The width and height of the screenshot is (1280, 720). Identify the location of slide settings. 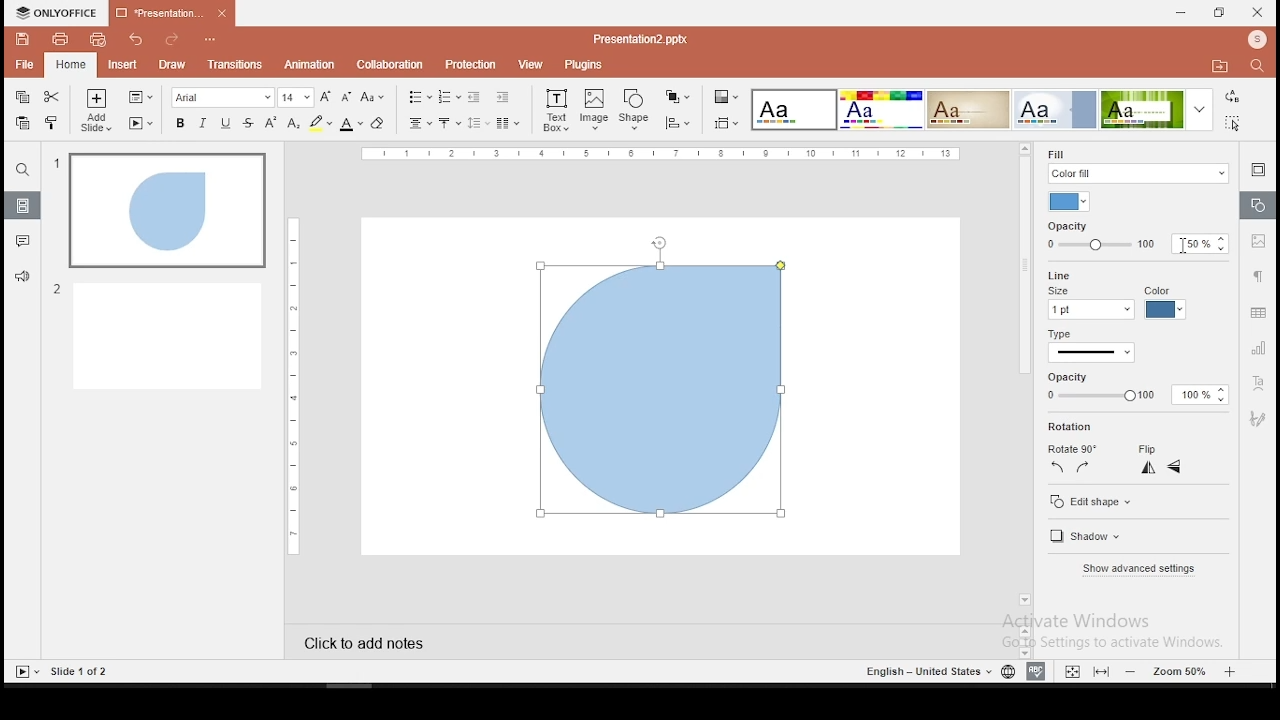
(1256, 169).